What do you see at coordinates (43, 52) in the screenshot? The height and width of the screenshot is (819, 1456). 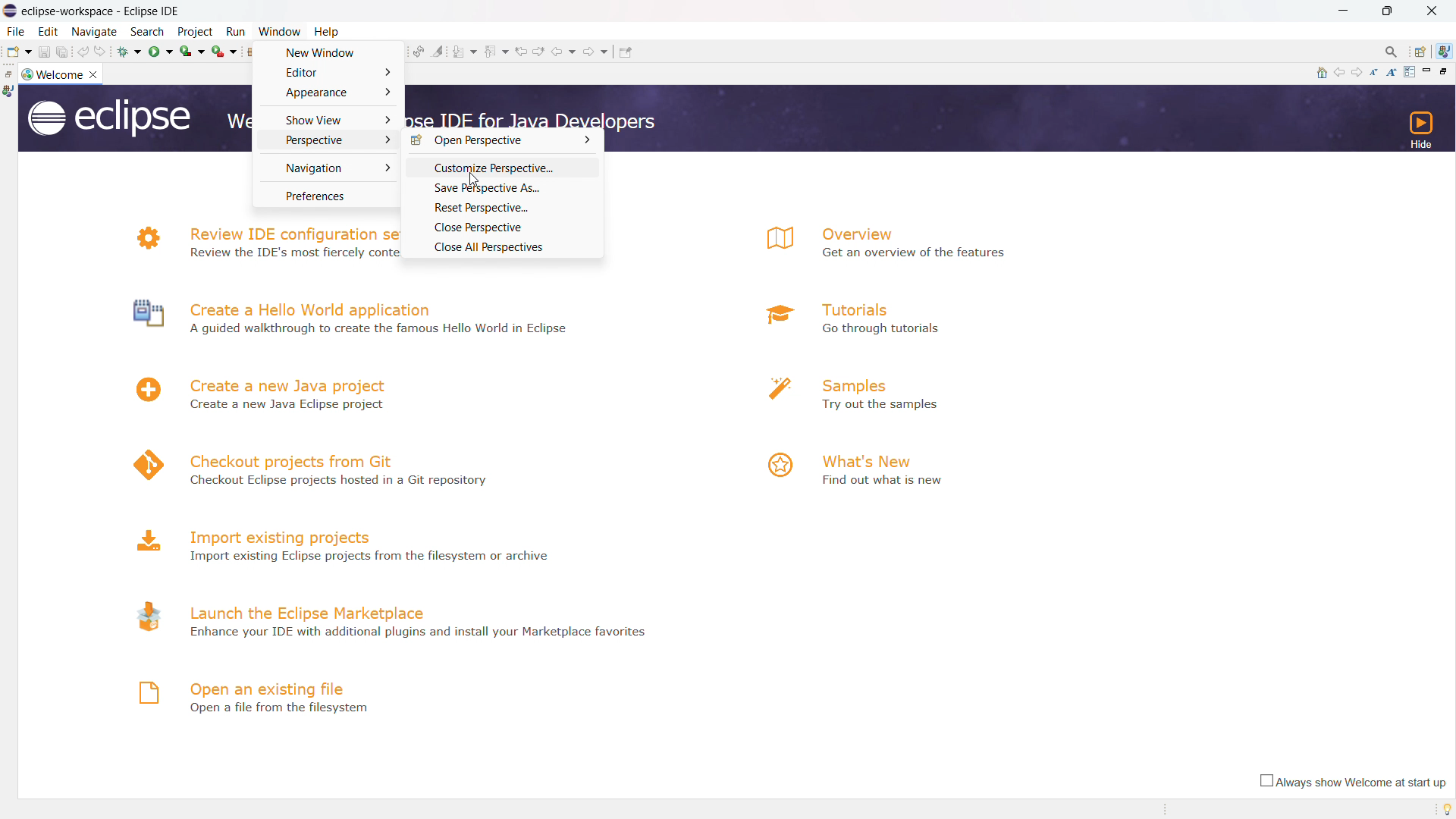 I see `save` at bounding box center [43, 52].